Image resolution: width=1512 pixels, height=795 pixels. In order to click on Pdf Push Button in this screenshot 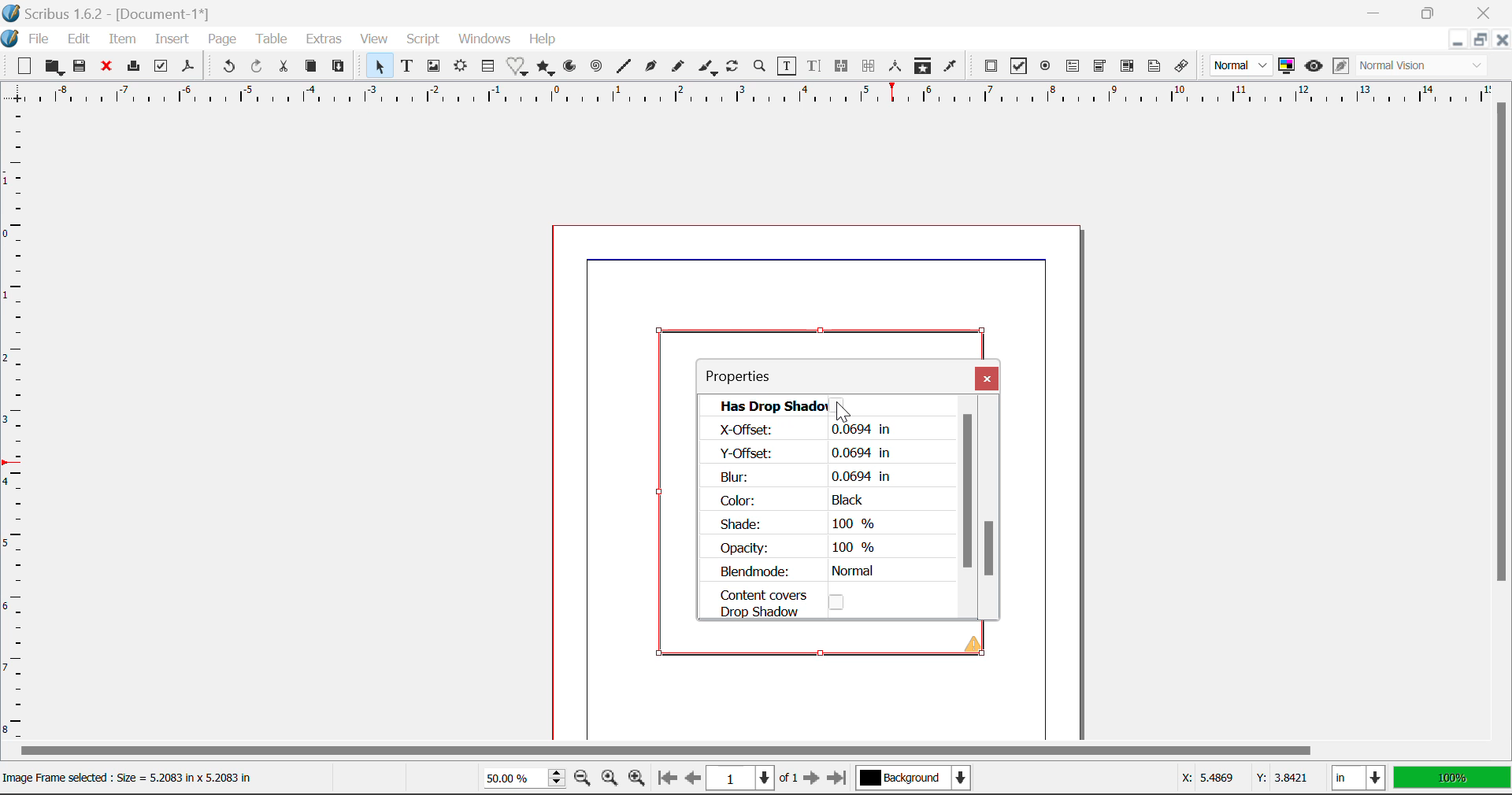, I will do `click(992, 68)`.